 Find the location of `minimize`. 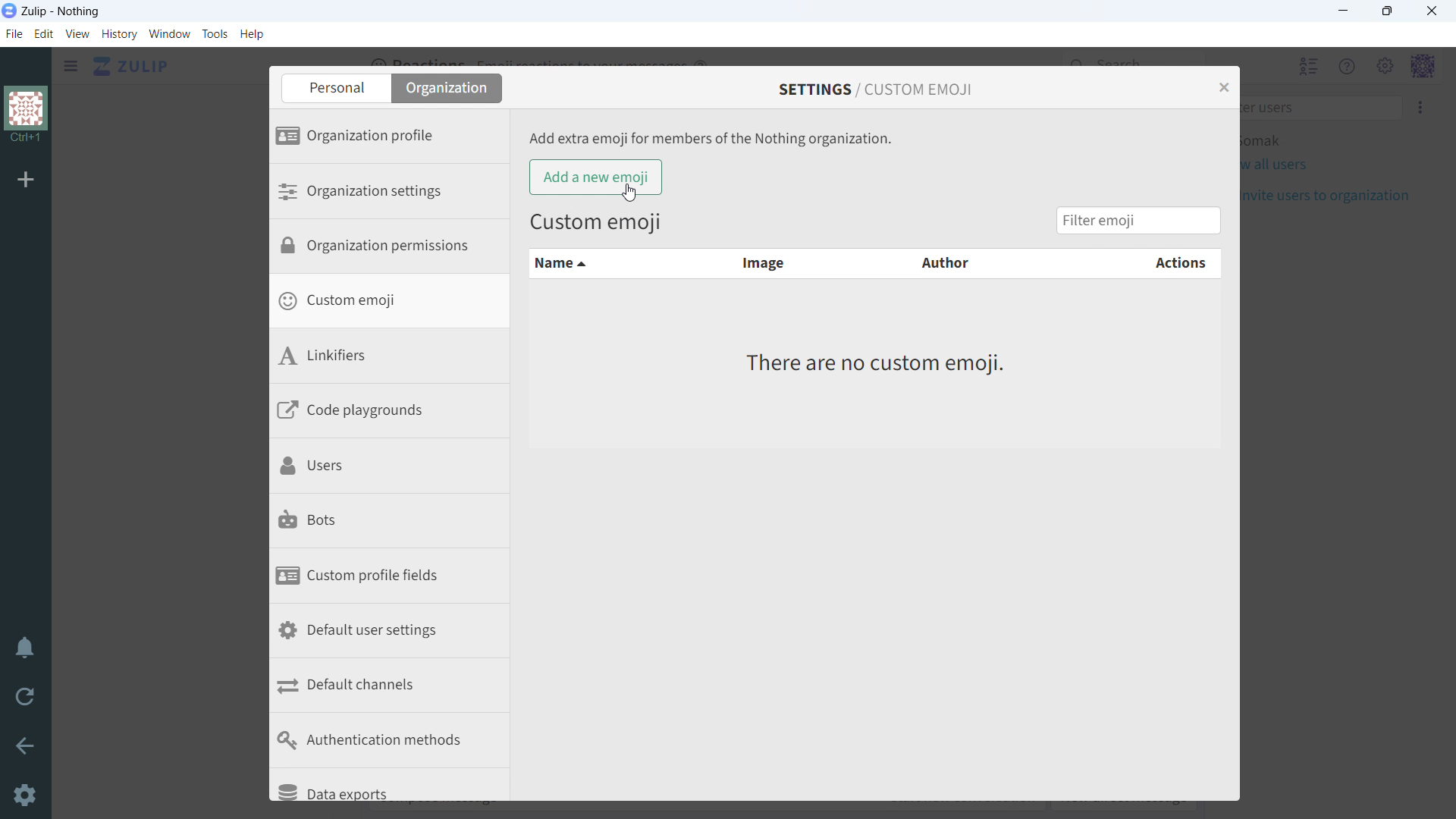

minimize is located at coordinates (1345, 11).